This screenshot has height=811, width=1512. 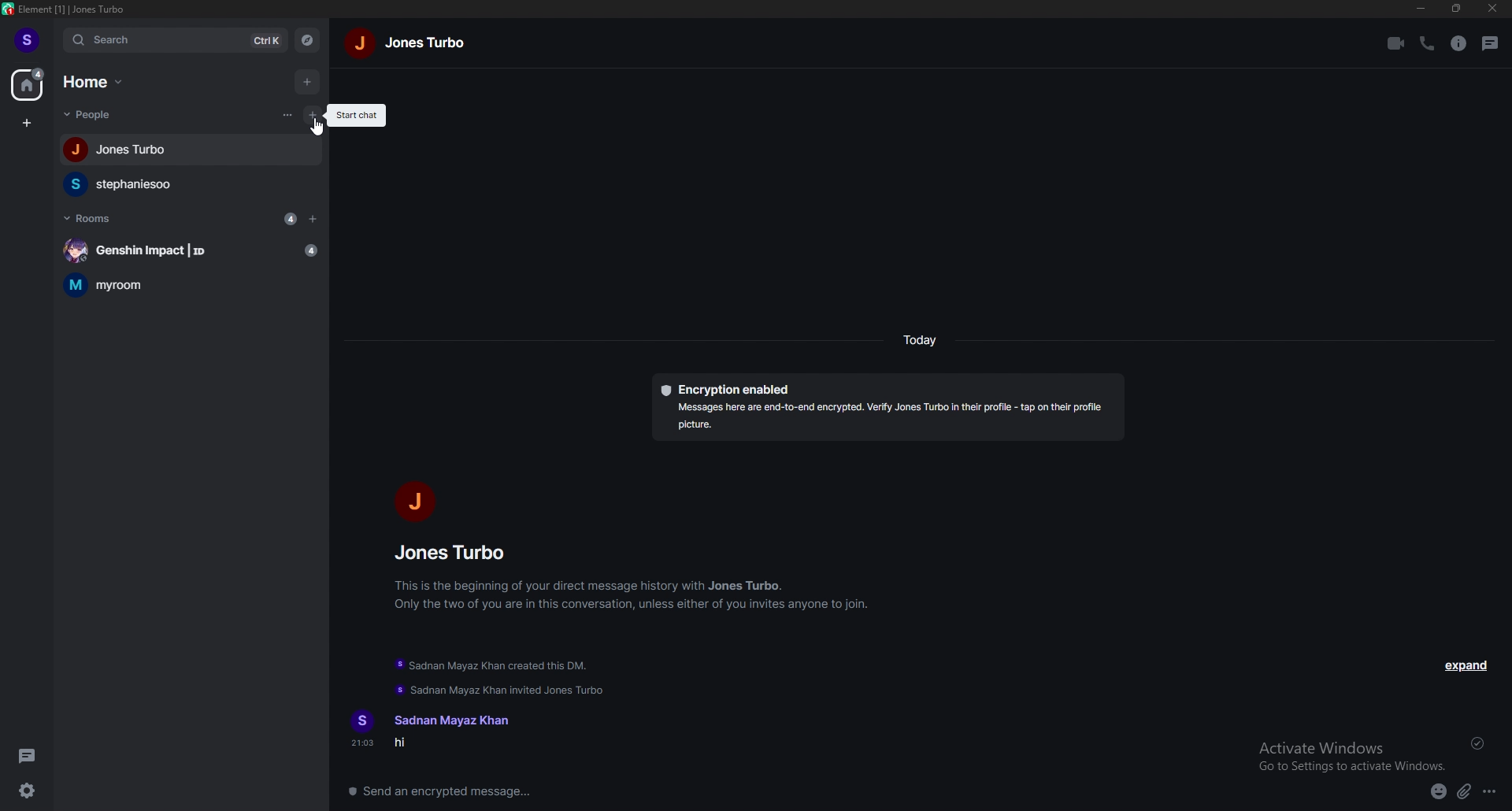 What do you see at coordinates (1463, 793) in the screenshot?
I see `attachments` at bounding box center [1463, 793].